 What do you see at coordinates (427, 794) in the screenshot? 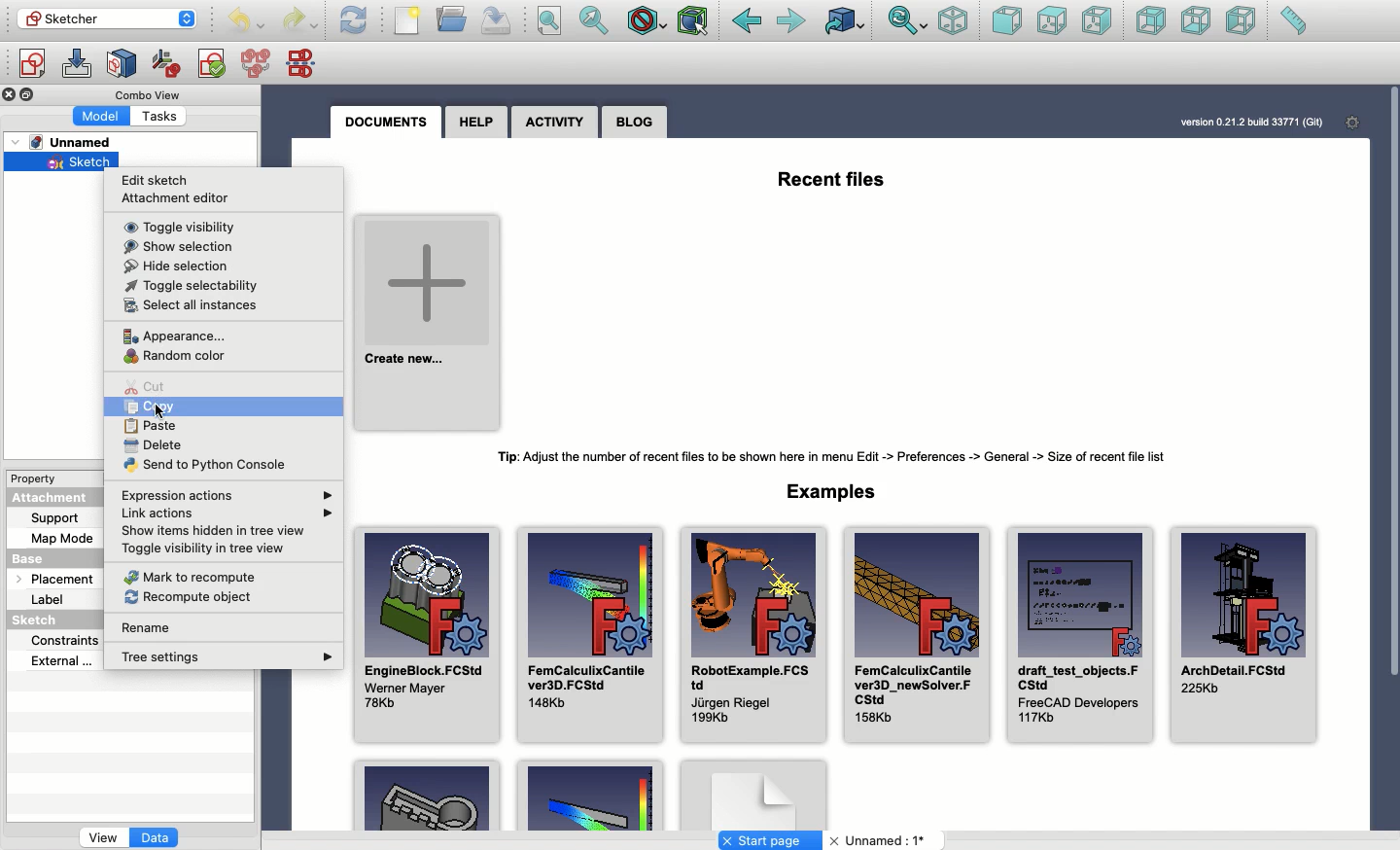
I see `Key Object` at bounding box center [427, 794].